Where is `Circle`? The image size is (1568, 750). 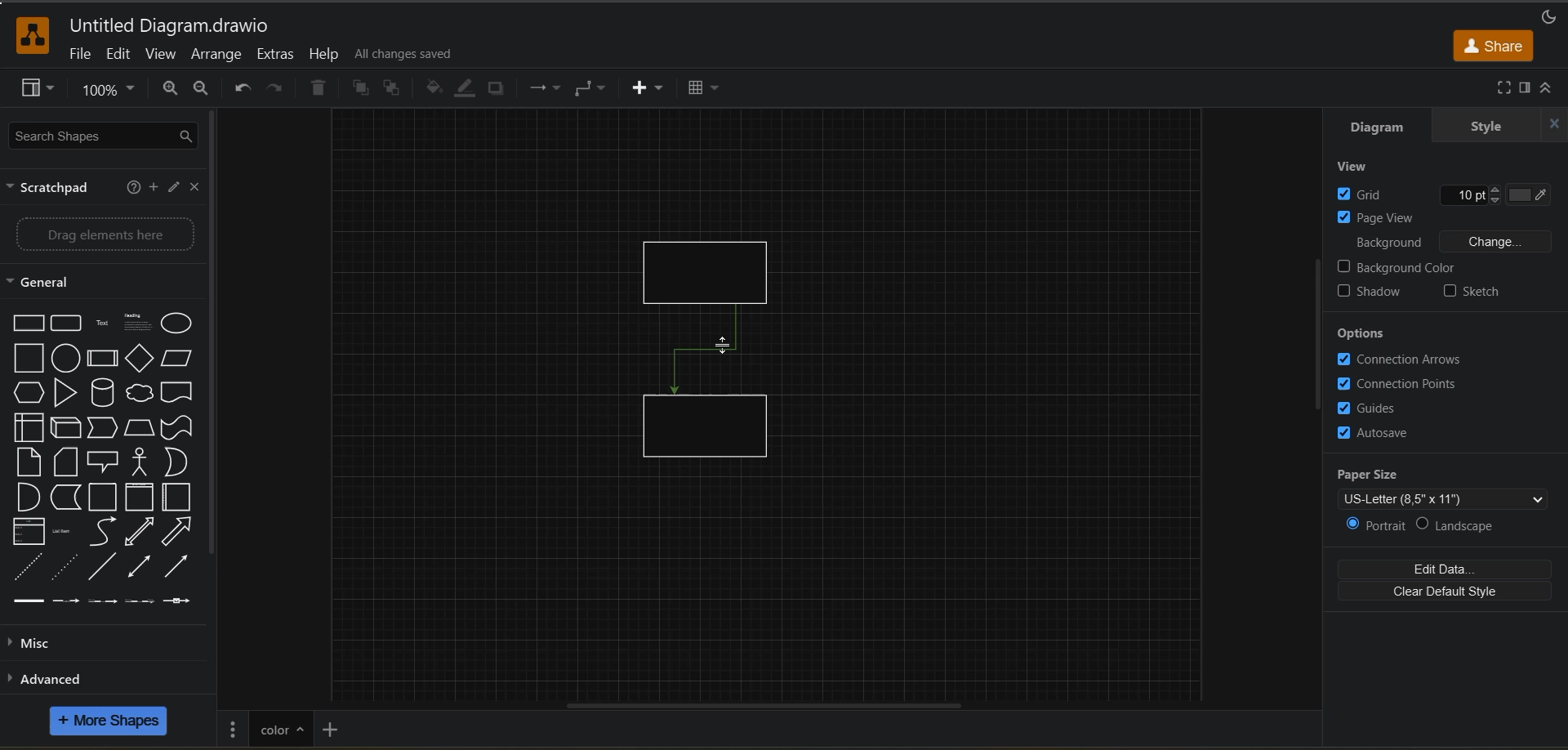
Circle is located at coordinates (65, 359).